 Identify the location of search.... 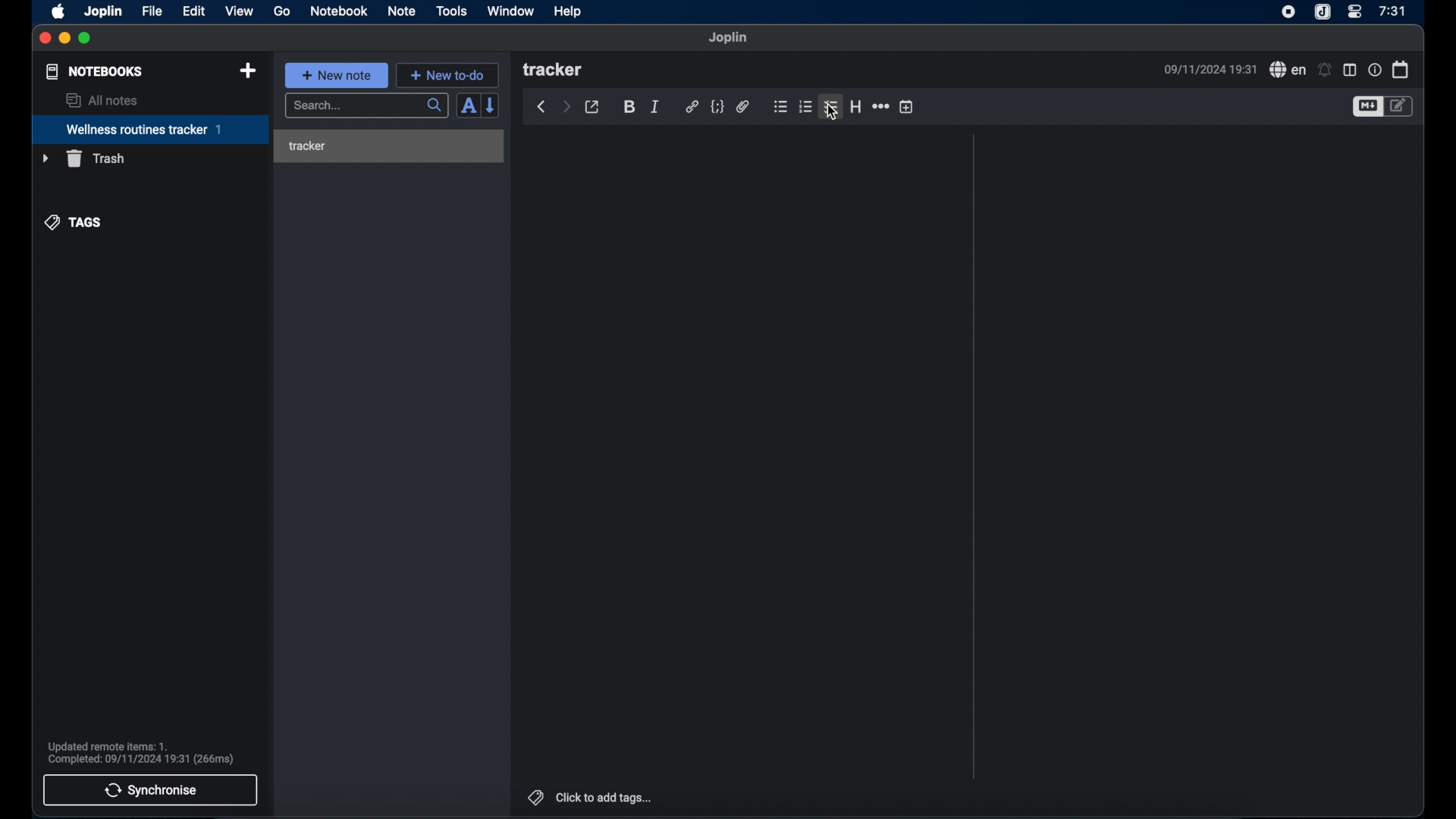
(368, 106).